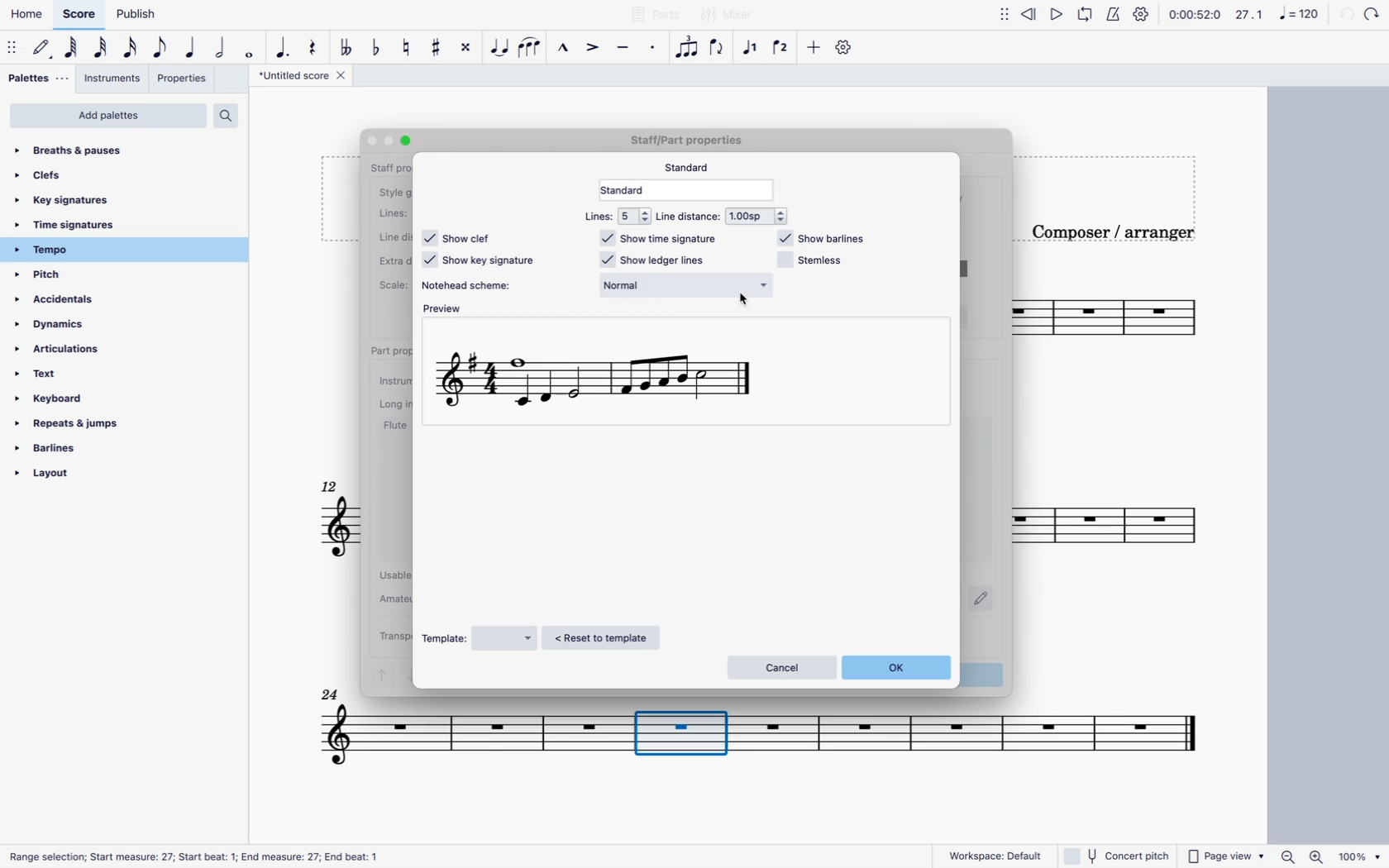  I want to click on toggle sharp, so click(436, 50).